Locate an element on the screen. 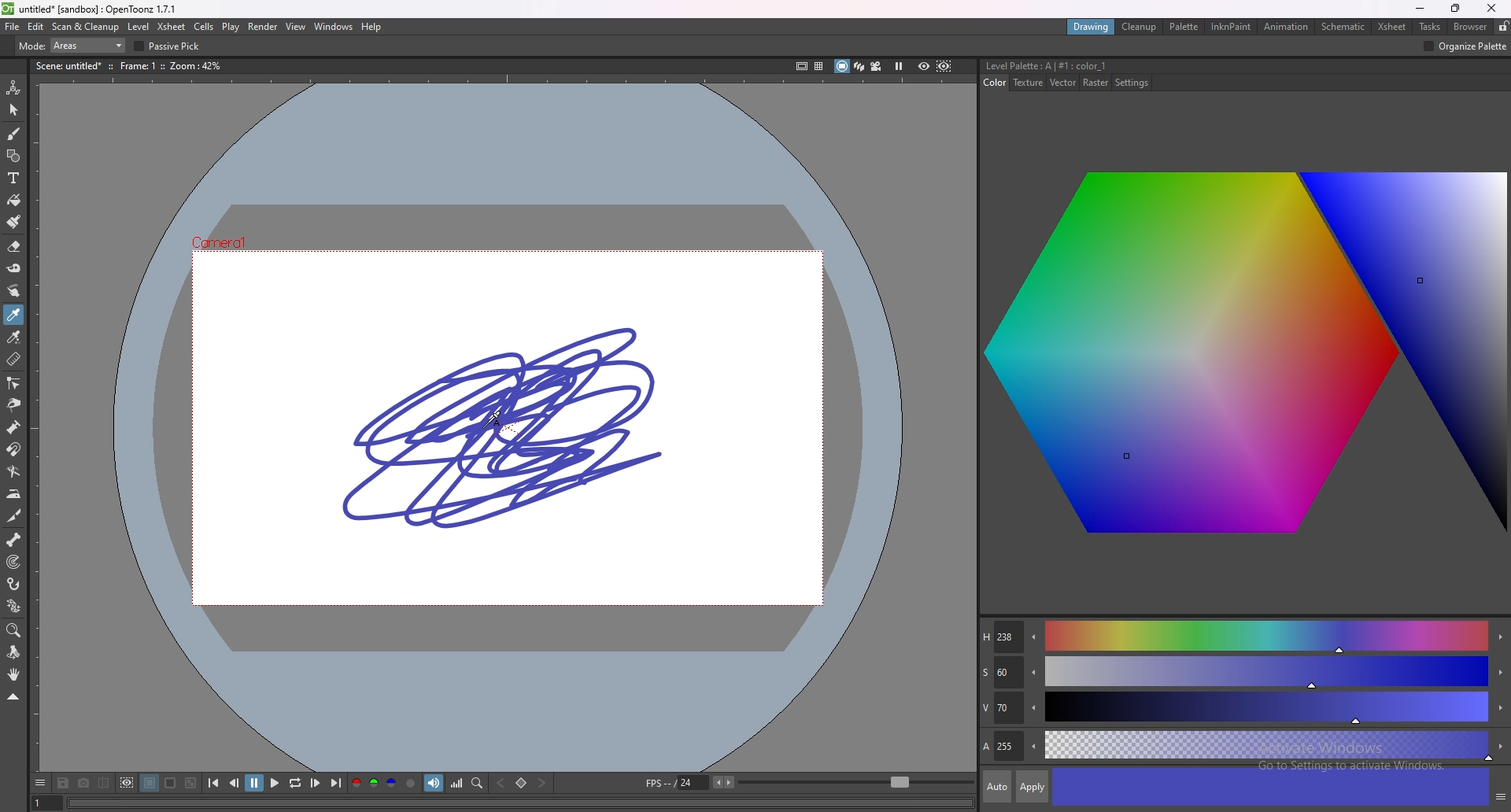  save is located at coordinates (63, 783).